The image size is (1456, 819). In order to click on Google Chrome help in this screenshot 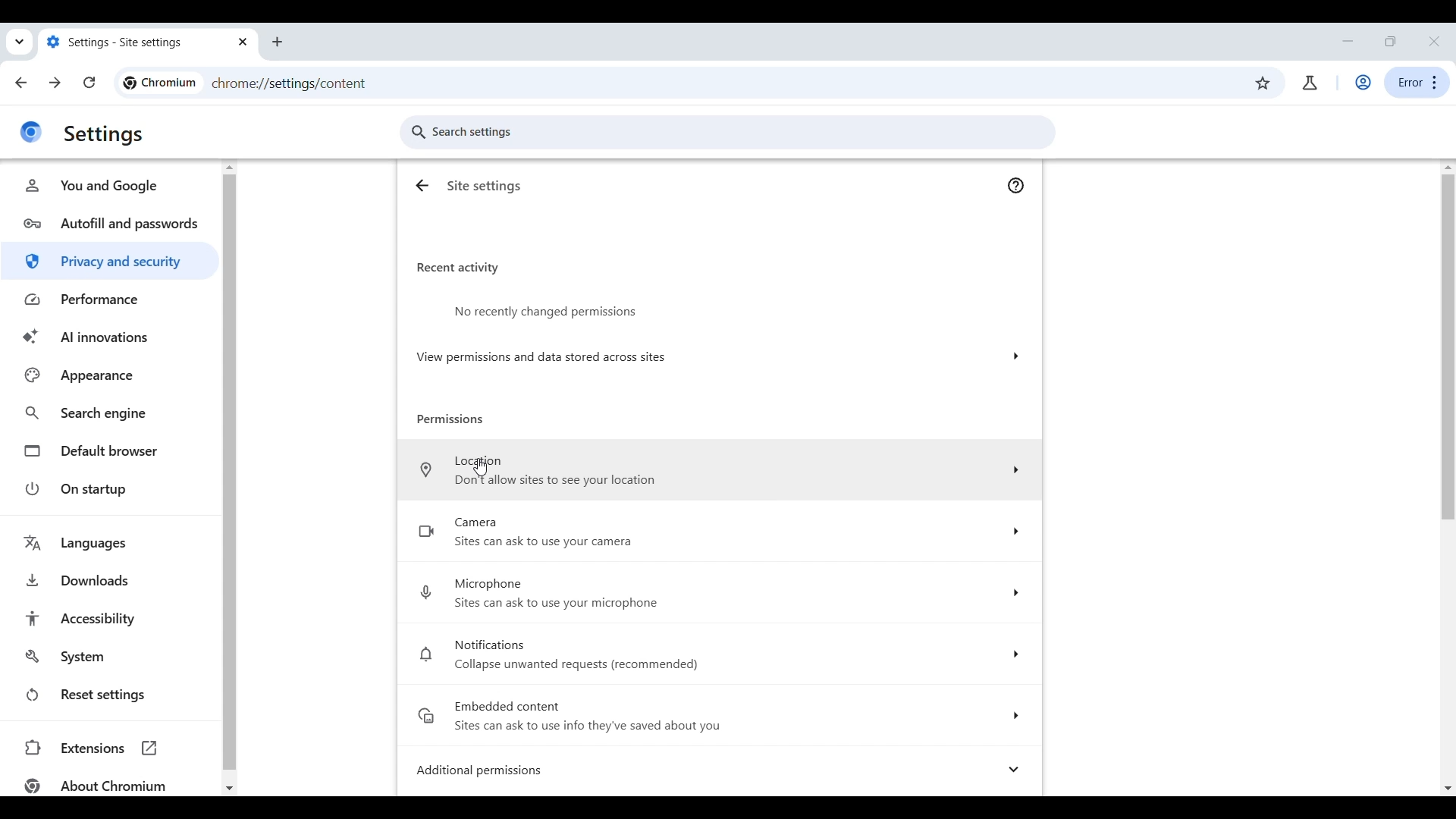, I will do `click(1015, 185)`.